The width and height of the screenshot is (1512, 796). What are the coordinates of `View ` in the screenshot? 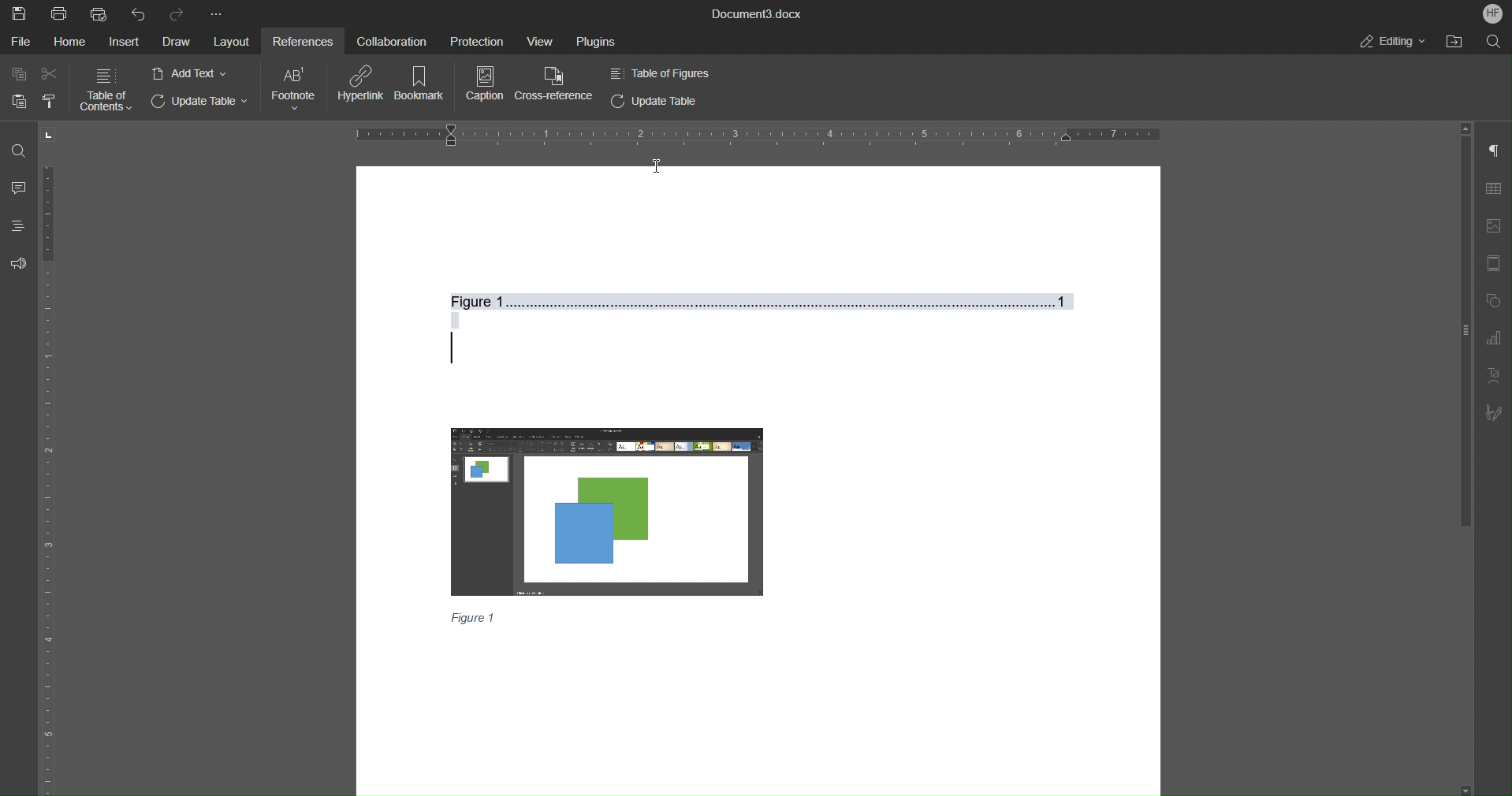 It's located at (534, 39).